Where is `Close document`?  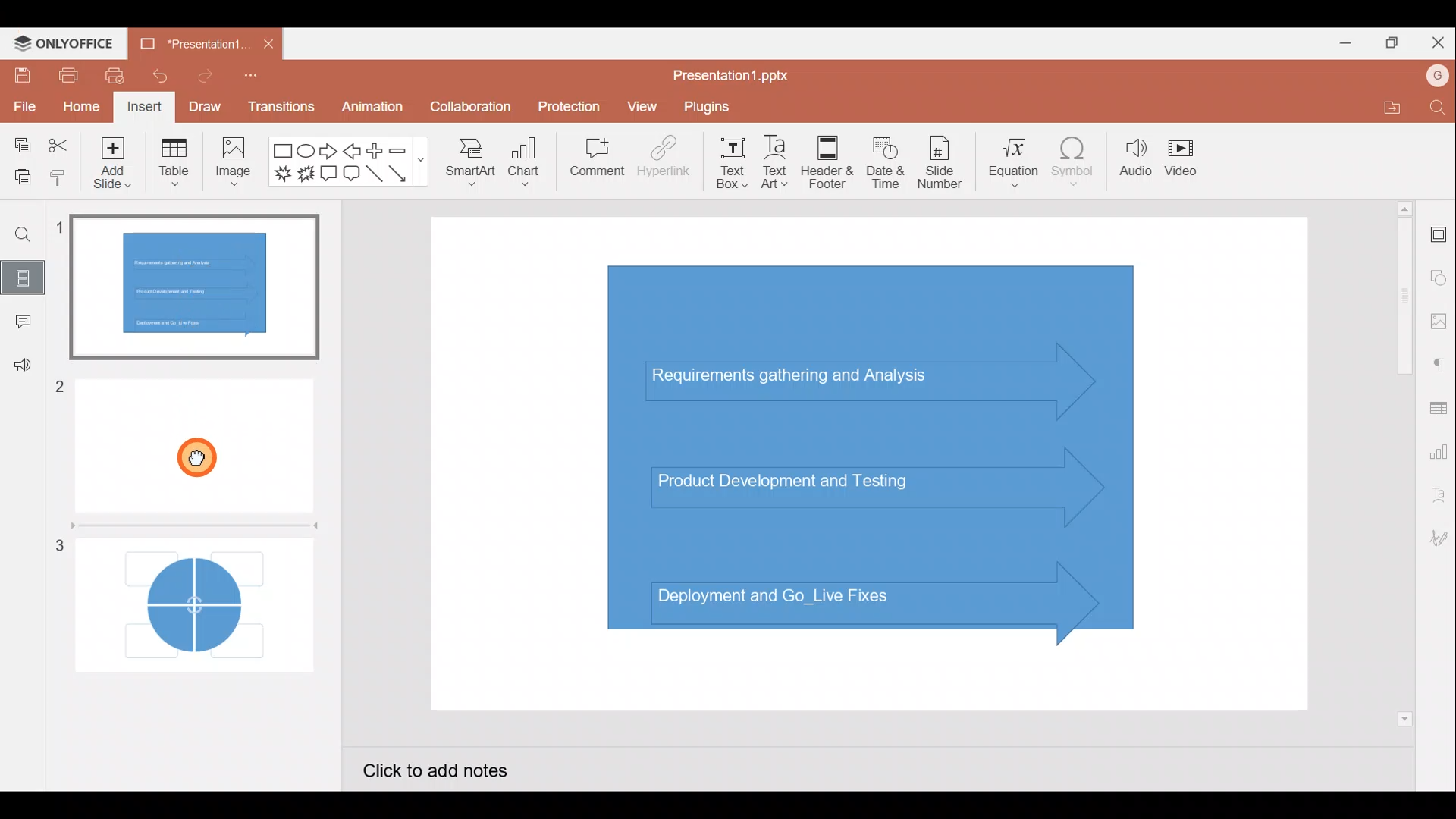
Close document is located at coordinates (268, 45).